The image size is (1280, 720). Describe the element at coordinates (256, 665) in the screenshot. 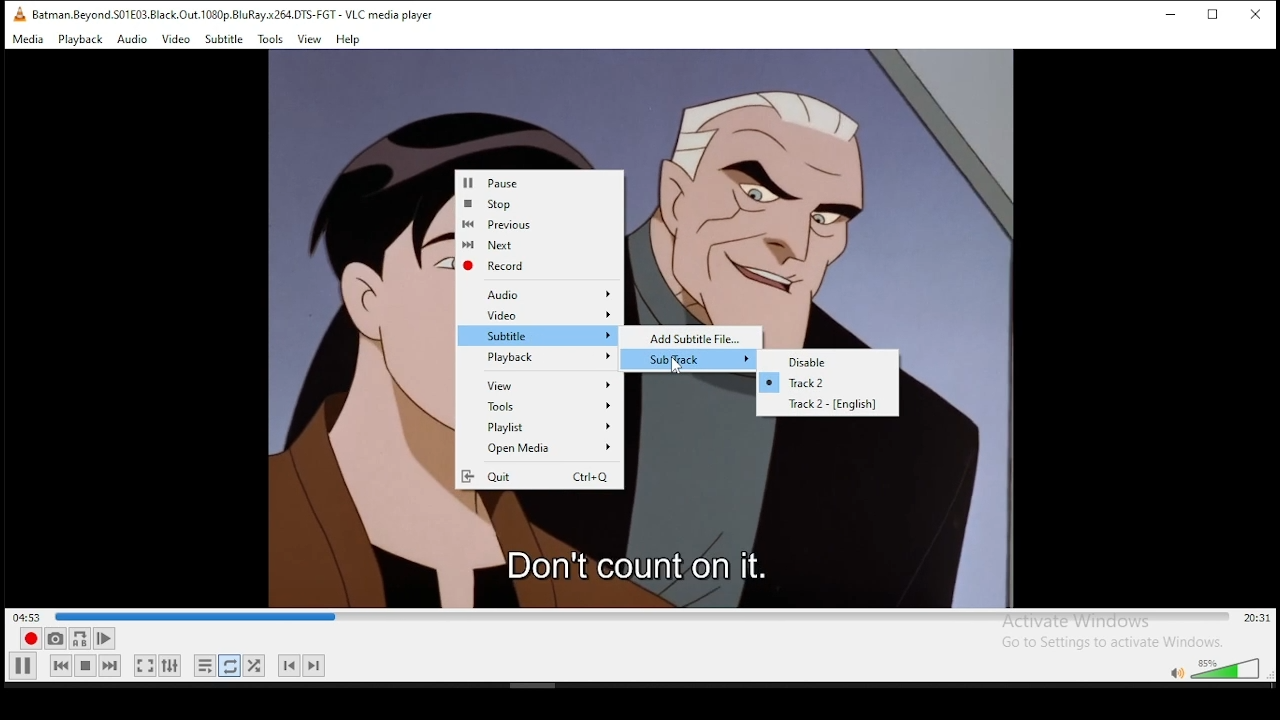

I see `shuffle` at that location.